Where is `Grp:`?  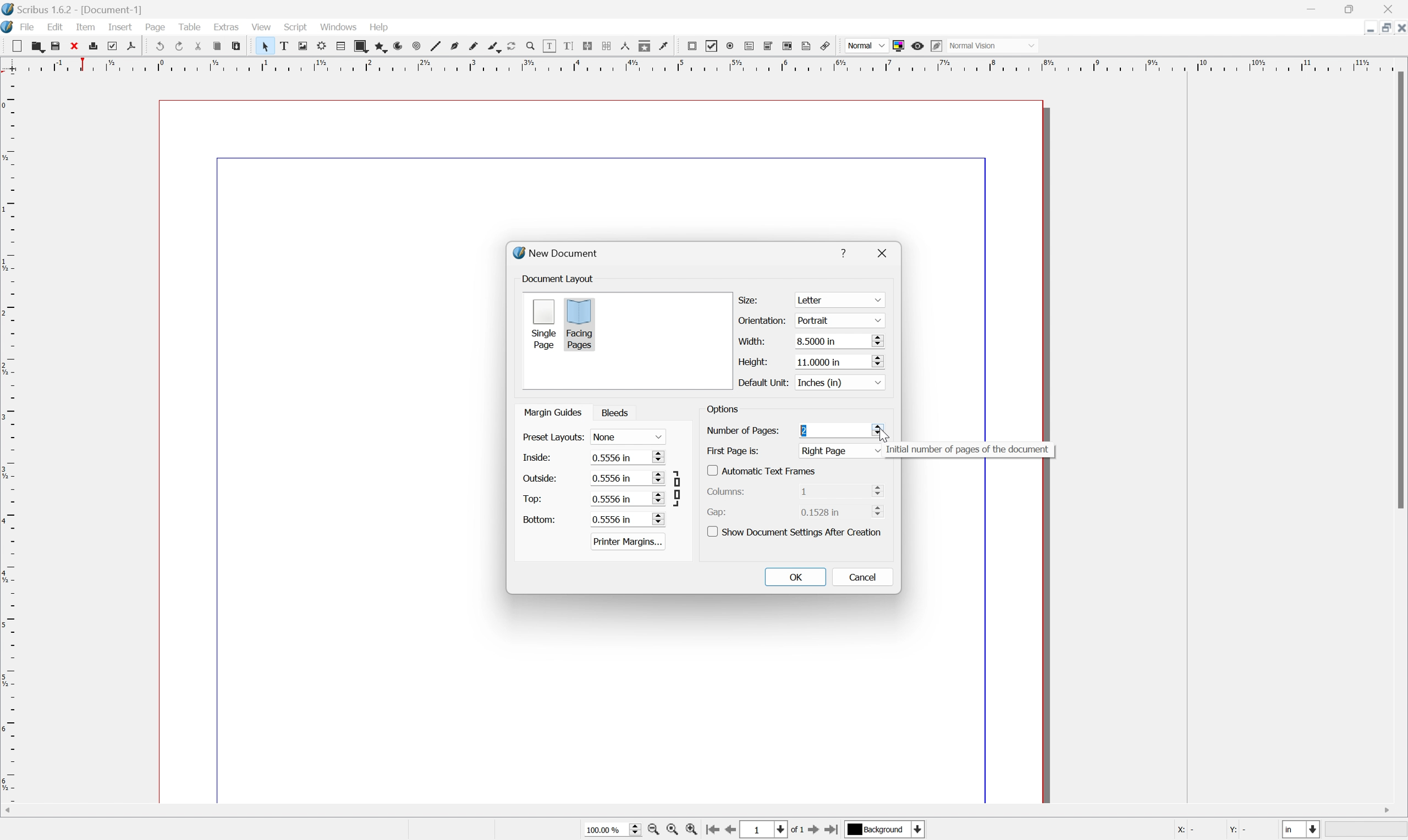 Grp: is located at coordinates (719, 512).